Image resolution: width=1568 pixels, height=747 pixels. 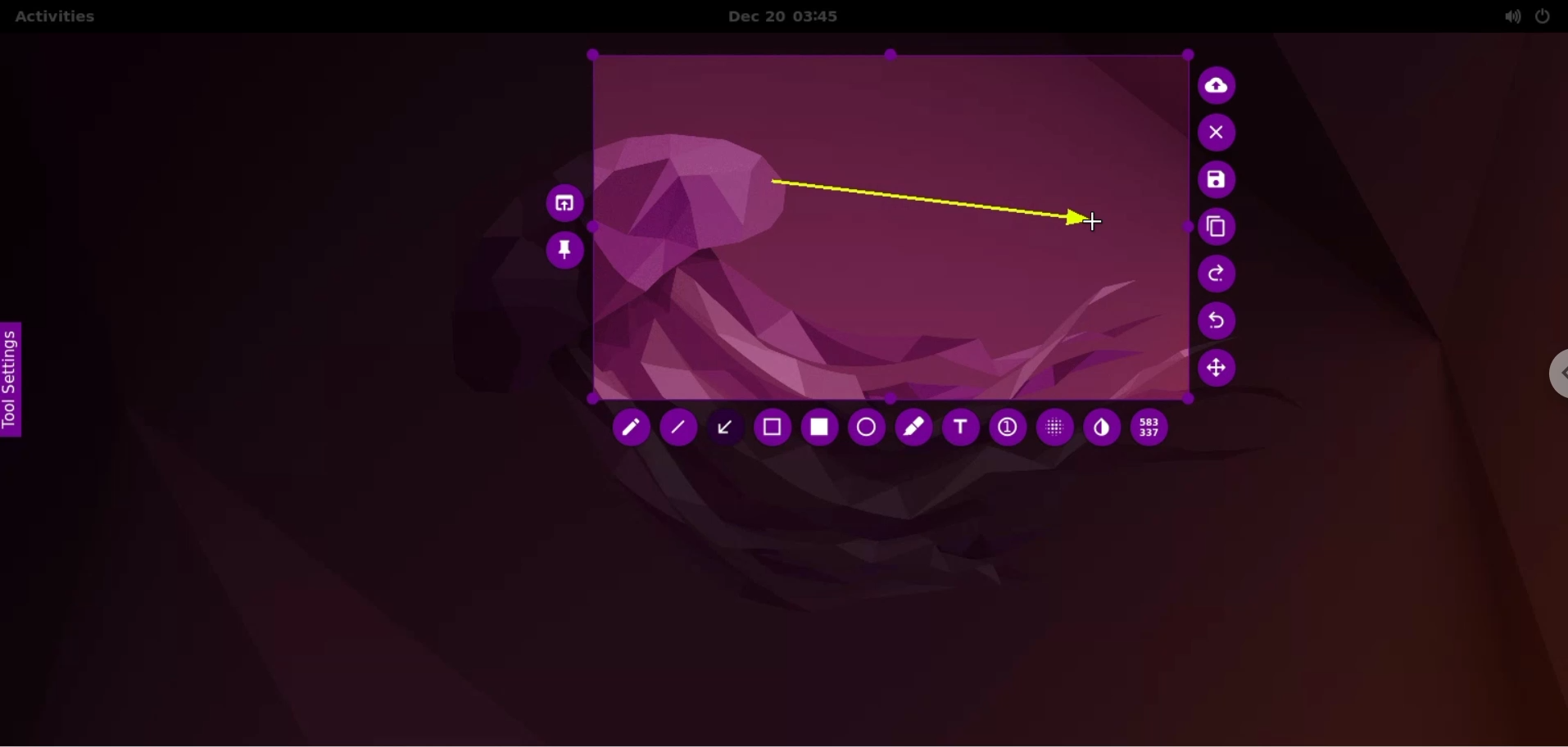 What do you see at coordinates (775, 430) in the screenshot?
I see `selection tool` at bounding box center [775, 430].